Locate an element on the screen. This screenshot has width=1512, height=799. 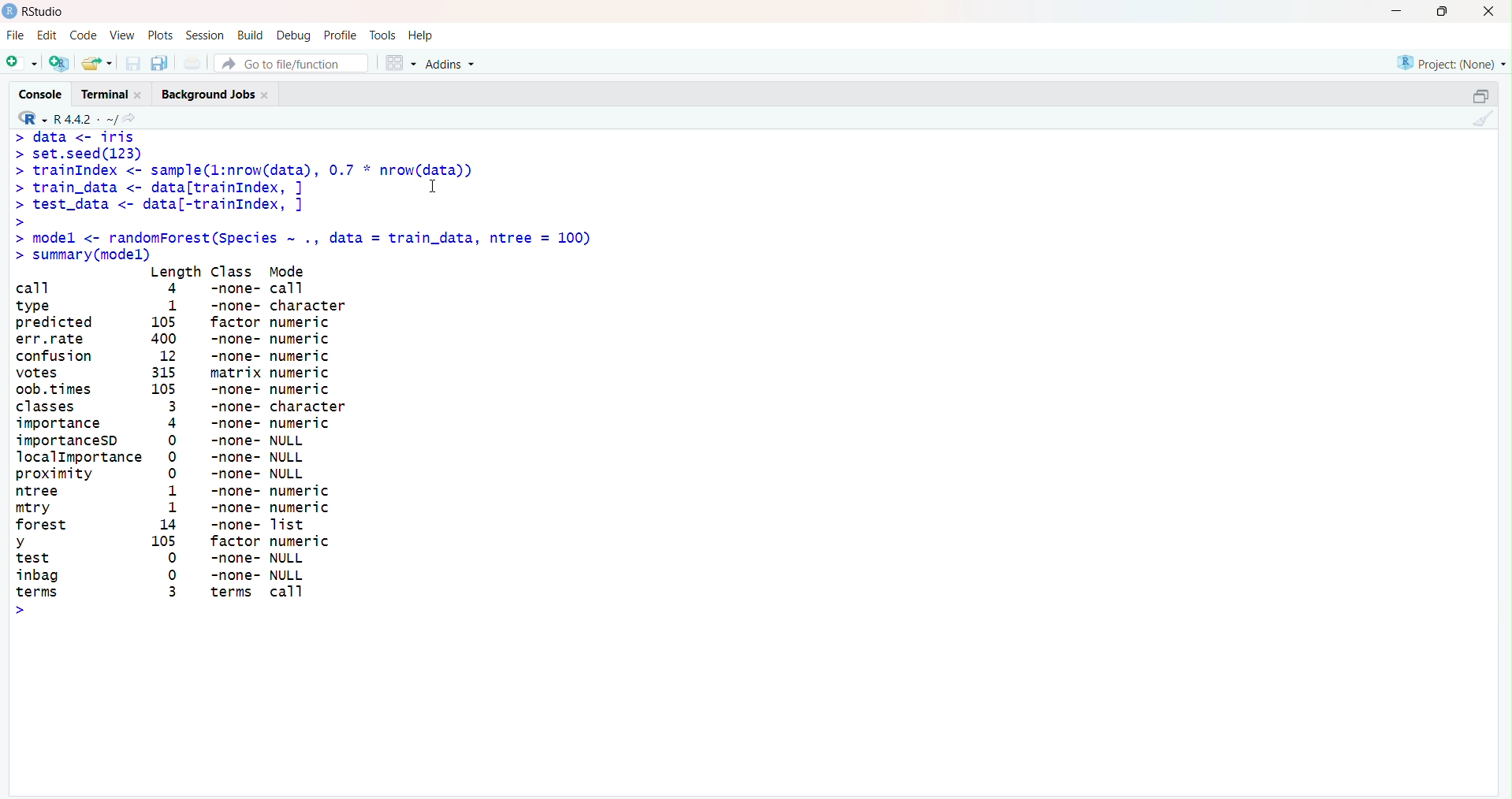
Help is located at coordinates (422, 36).